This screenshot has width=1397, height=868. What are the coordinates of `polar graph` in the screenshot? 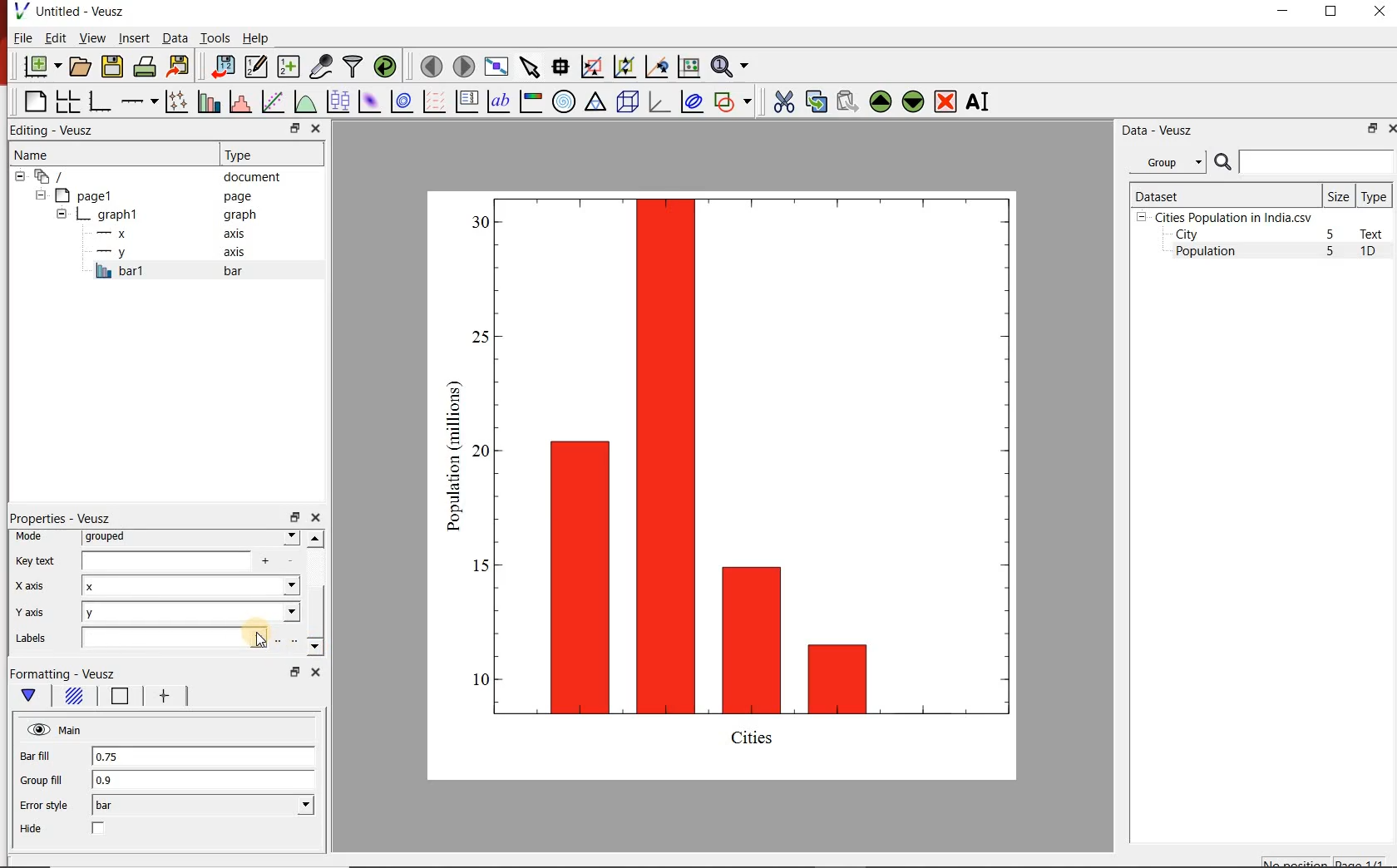 It's located at (564, 101).